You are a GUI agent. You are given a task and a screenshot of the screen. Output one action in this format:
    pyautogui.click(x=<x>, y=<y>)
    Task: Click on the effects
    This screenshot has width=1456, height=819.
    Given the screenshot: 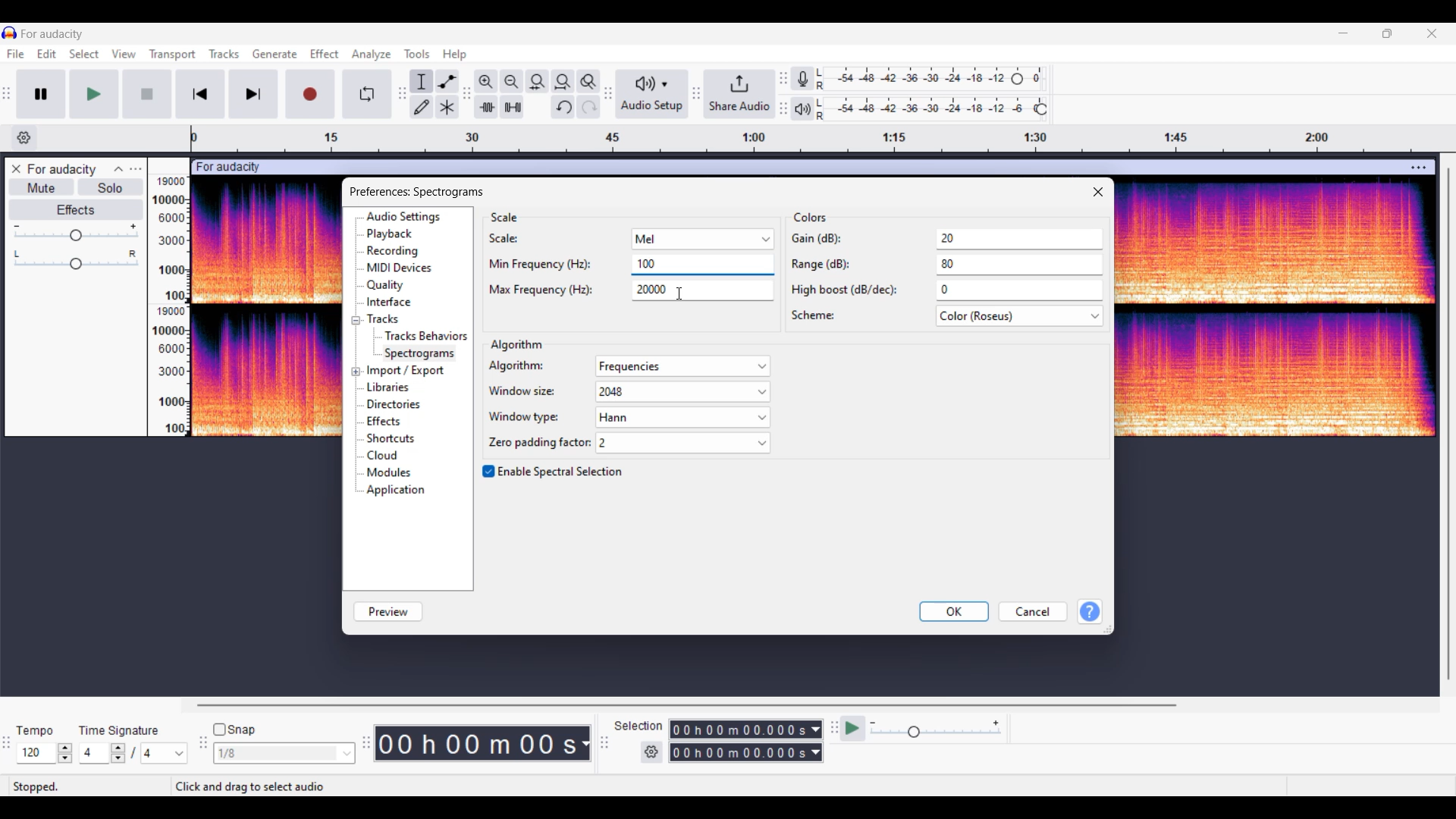 What is the action you would take?
    pyautogui.click(x=393, y=422)
    